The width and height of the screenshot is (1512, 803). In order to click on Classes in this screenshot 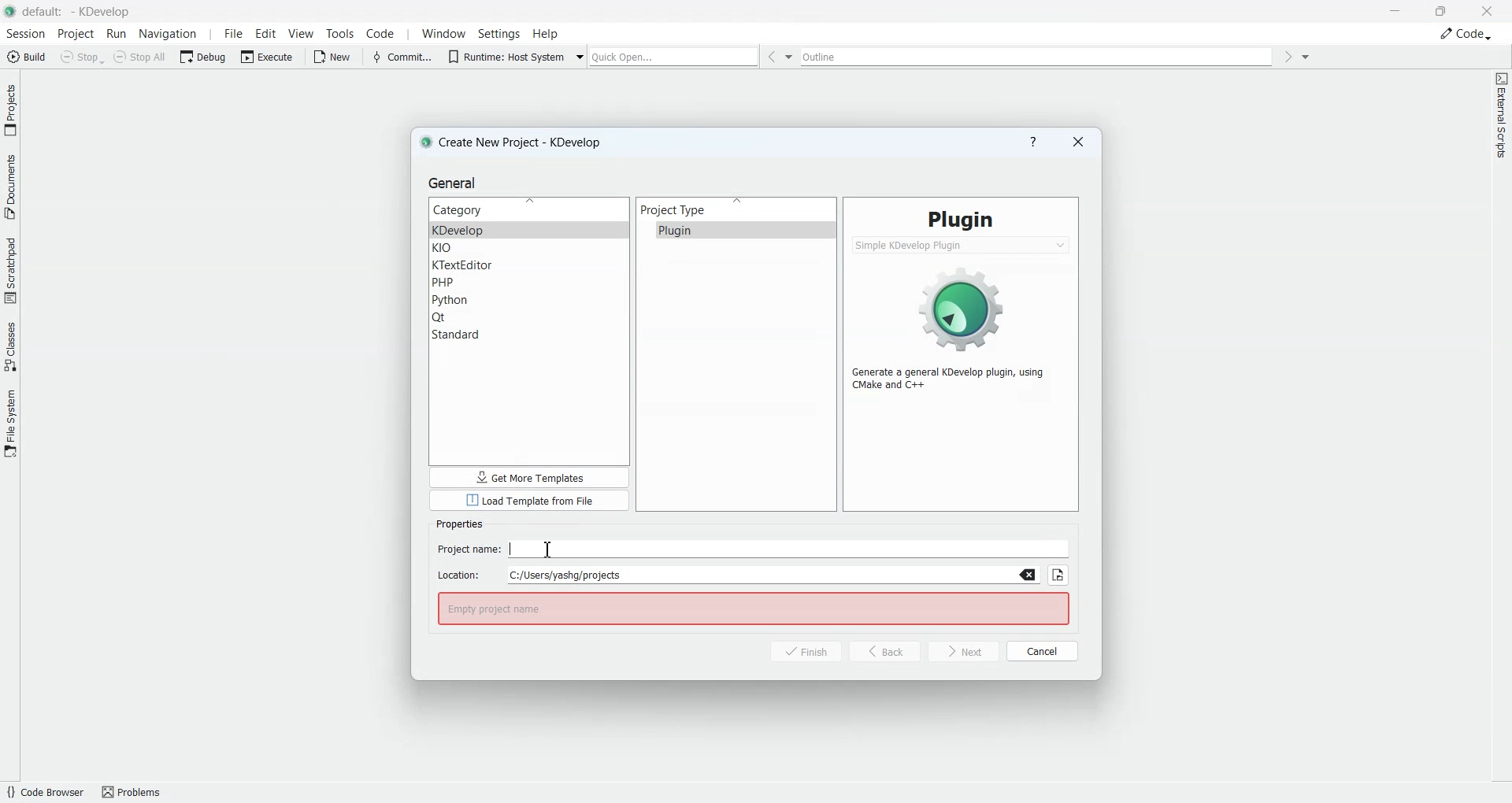, I will do `click(11, 346)`.